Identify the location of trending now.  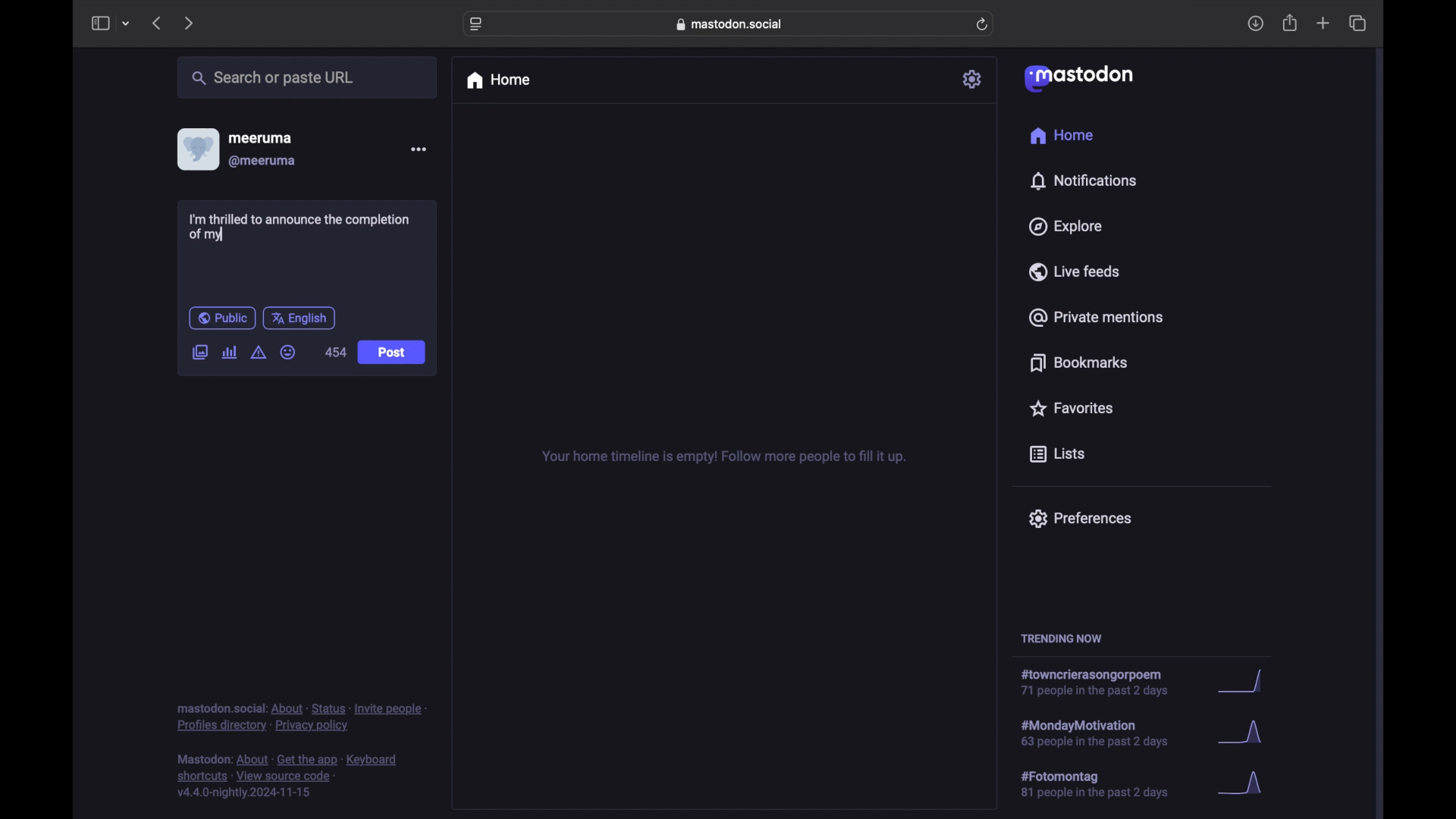
(1061, 639).